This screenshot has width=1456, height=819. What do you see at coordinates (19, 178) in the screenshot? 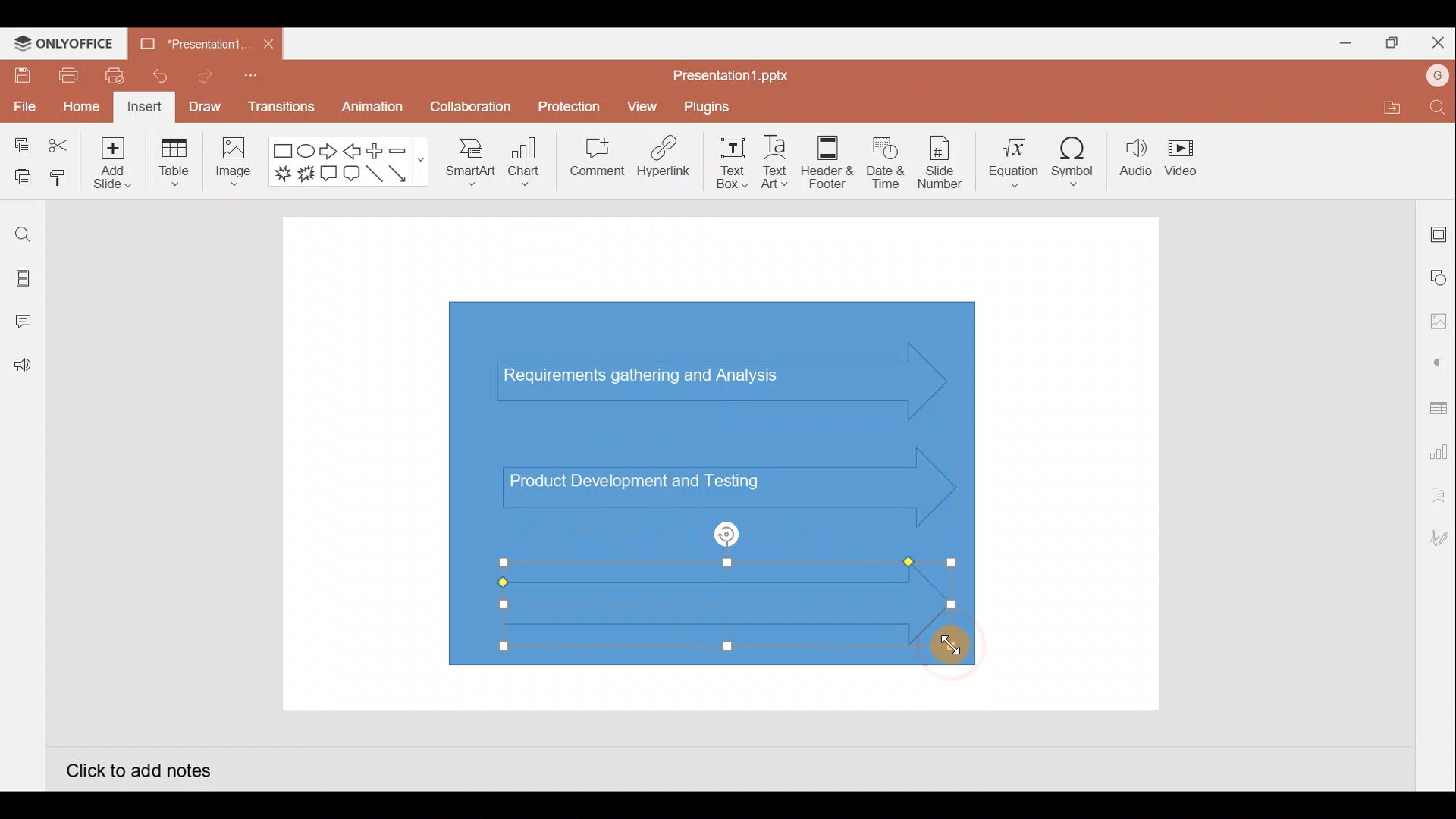
I see `Paste` at bounding box center [19, 178].